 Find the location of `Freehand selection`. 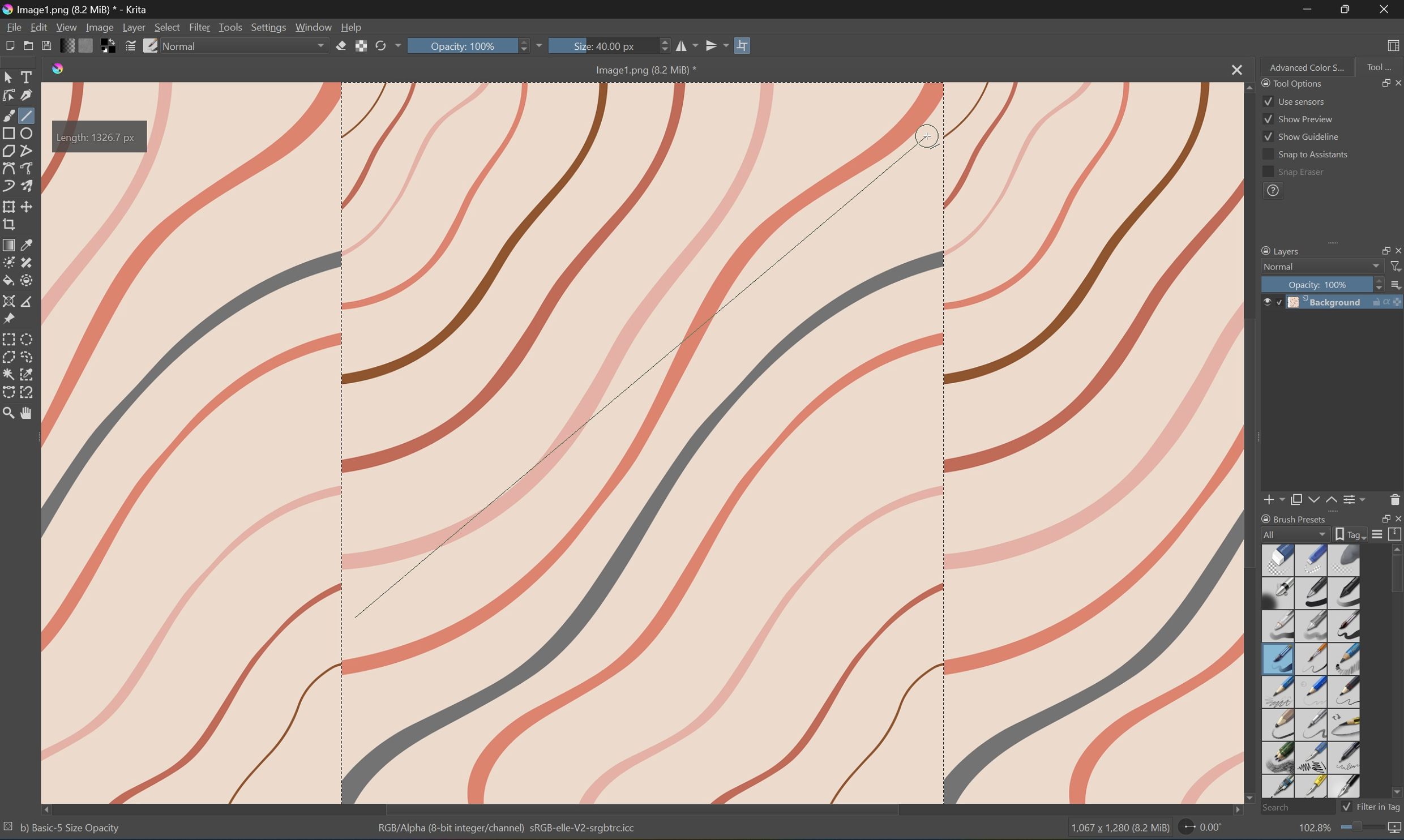

Freehand selection is located at coordinates (29, 357).